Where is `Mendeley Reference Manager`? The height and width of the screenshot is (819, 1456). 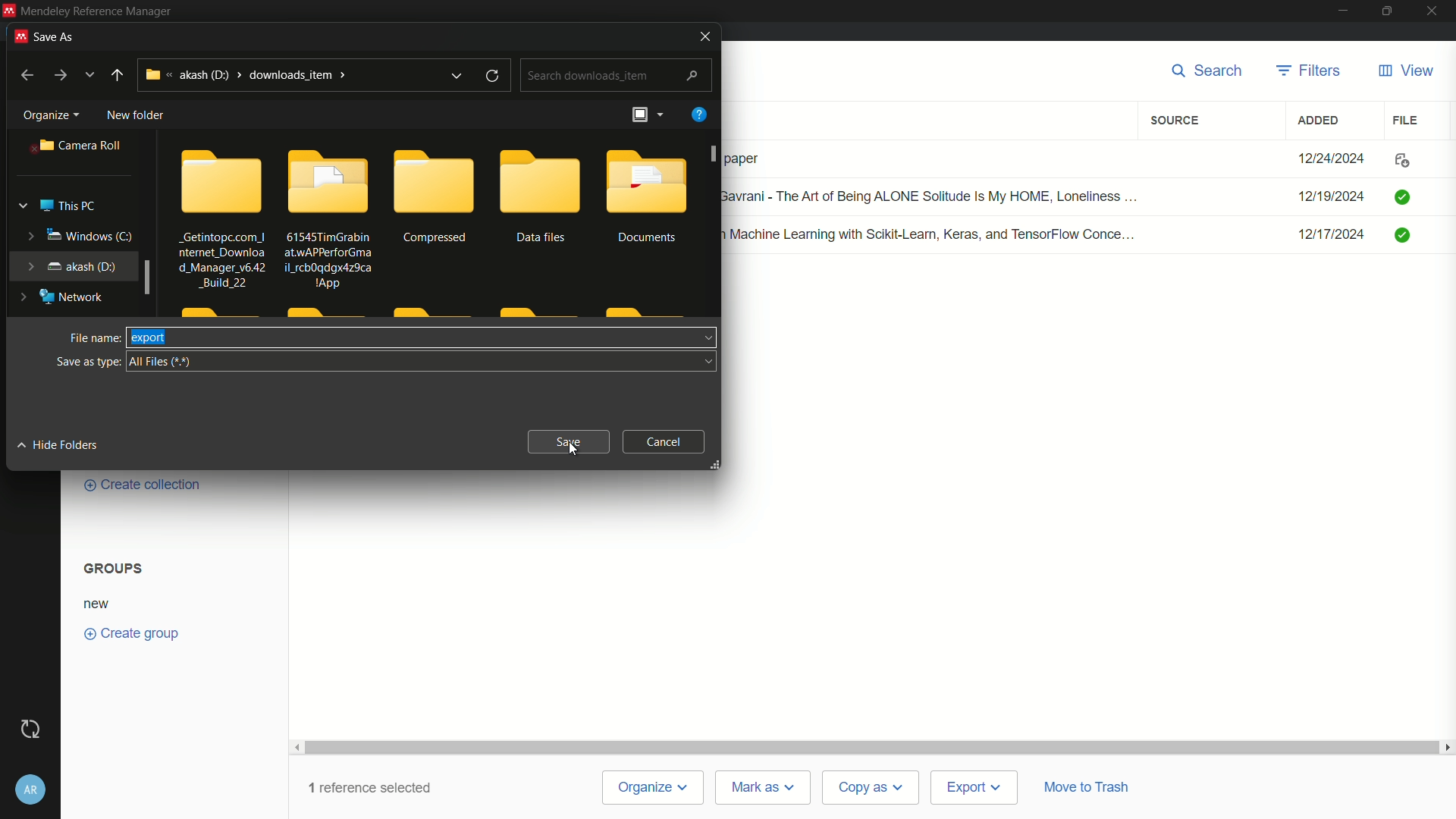
Mendeley Reference Manager is located at coordinates (102, 11).